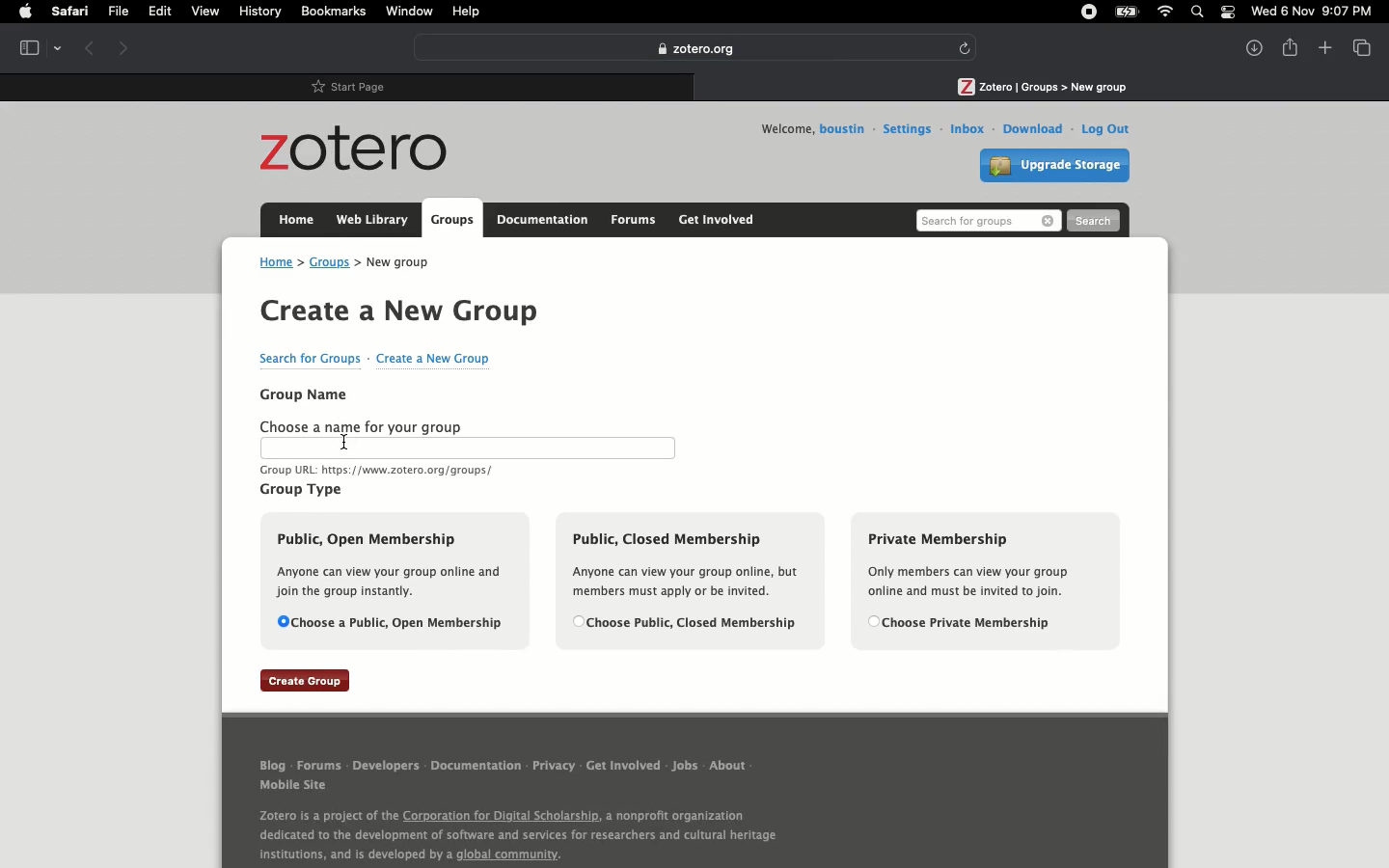 The height and width of the screenshot is (868, 1389). I want to click on Tab view, so click(39, 46).